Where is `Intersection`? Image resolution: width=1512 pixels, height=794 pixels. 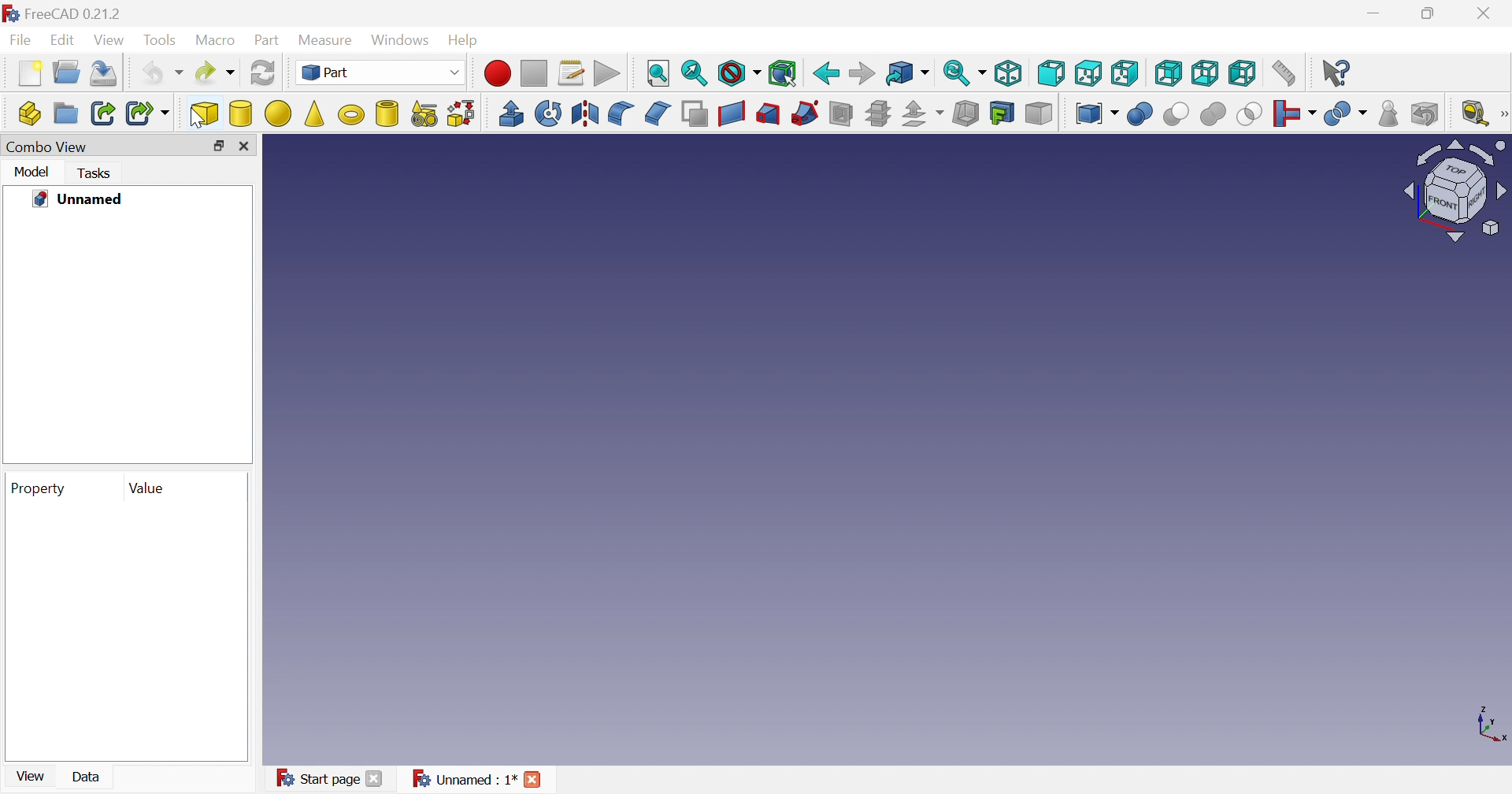
Intersection is located at coordinates (1250, 114).